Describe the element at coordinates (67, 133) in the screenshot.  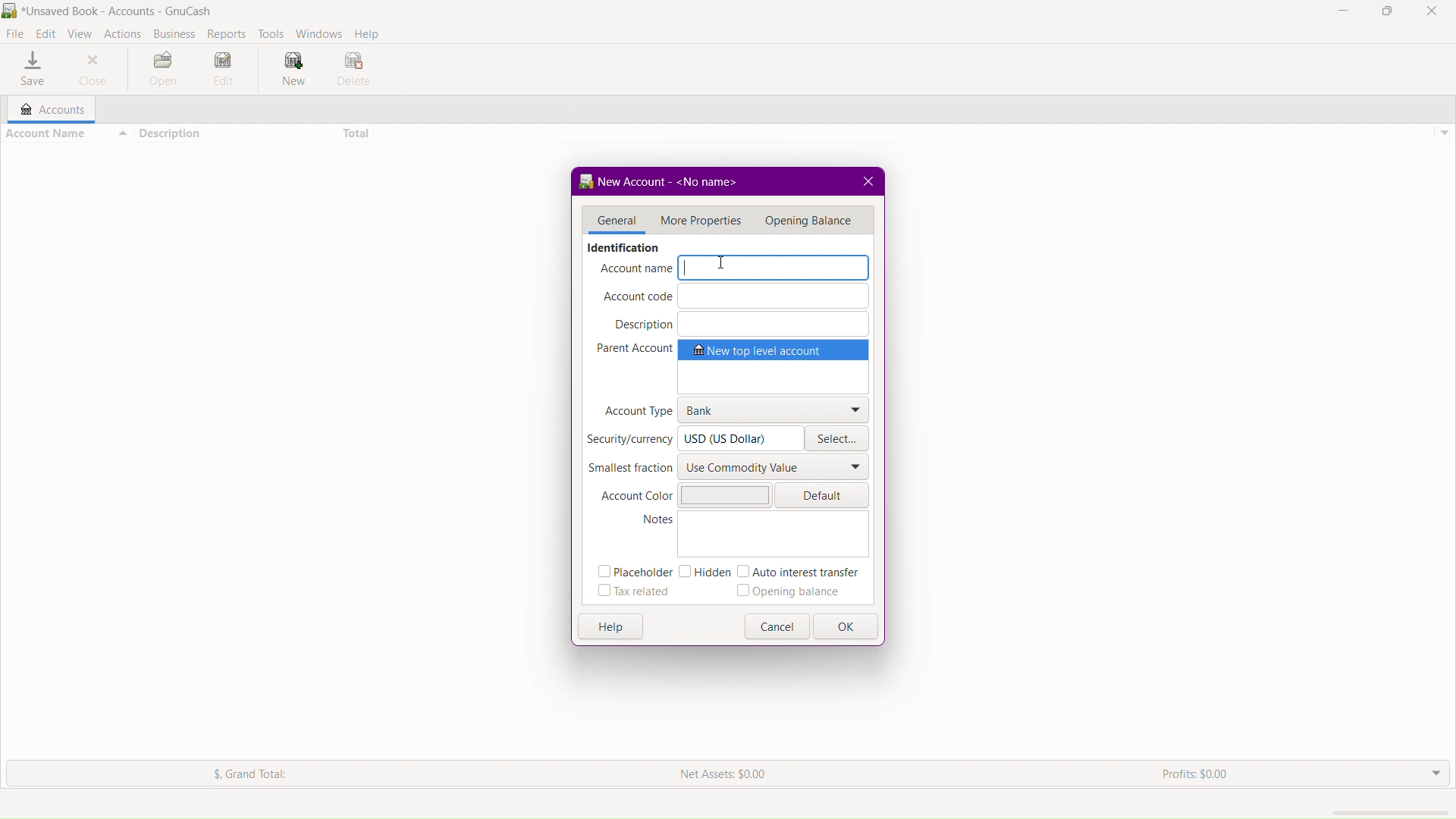
I see `Account Name` at that location.